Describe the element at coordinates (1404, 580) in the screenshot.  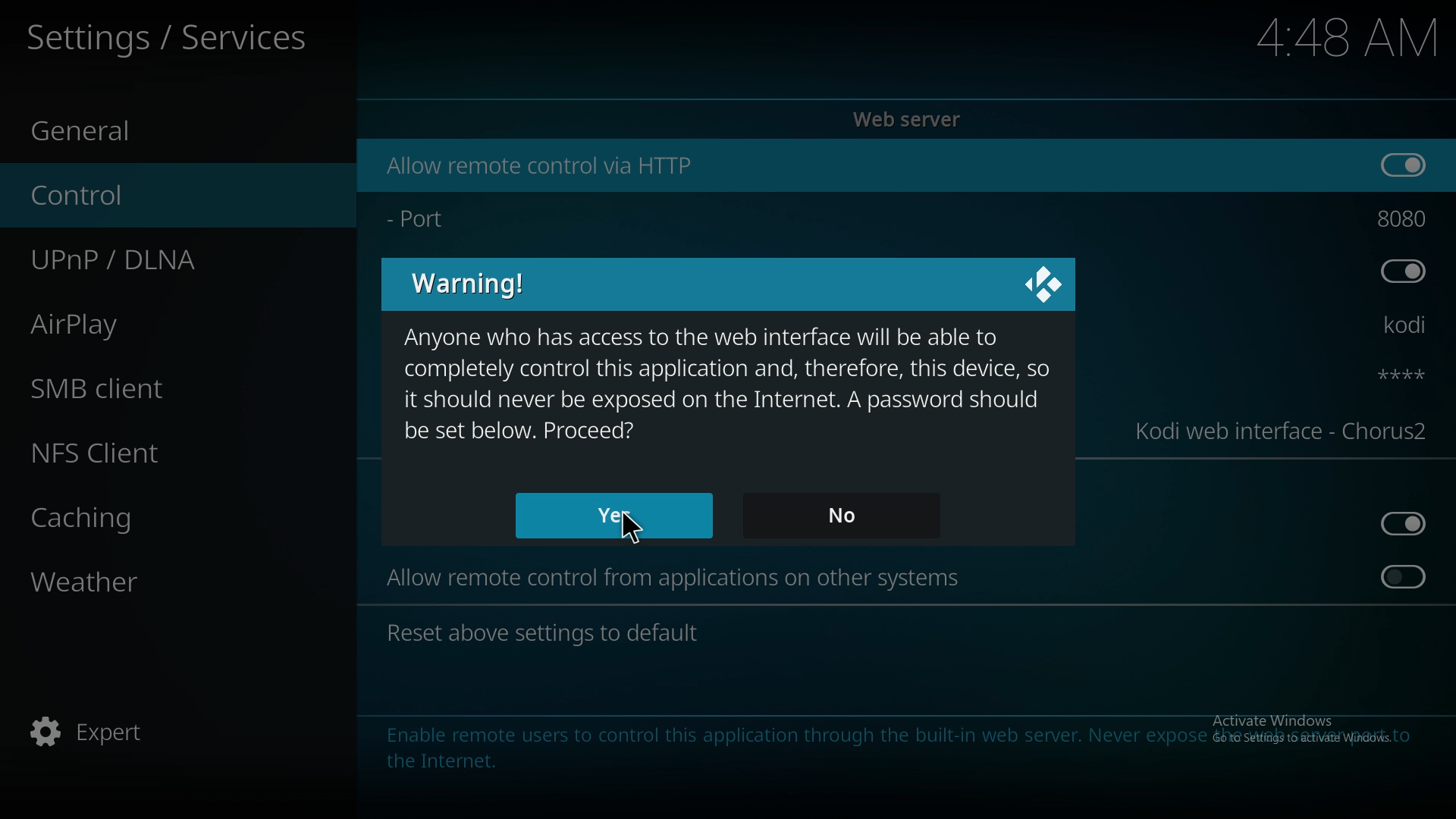
I see `on` at that location.